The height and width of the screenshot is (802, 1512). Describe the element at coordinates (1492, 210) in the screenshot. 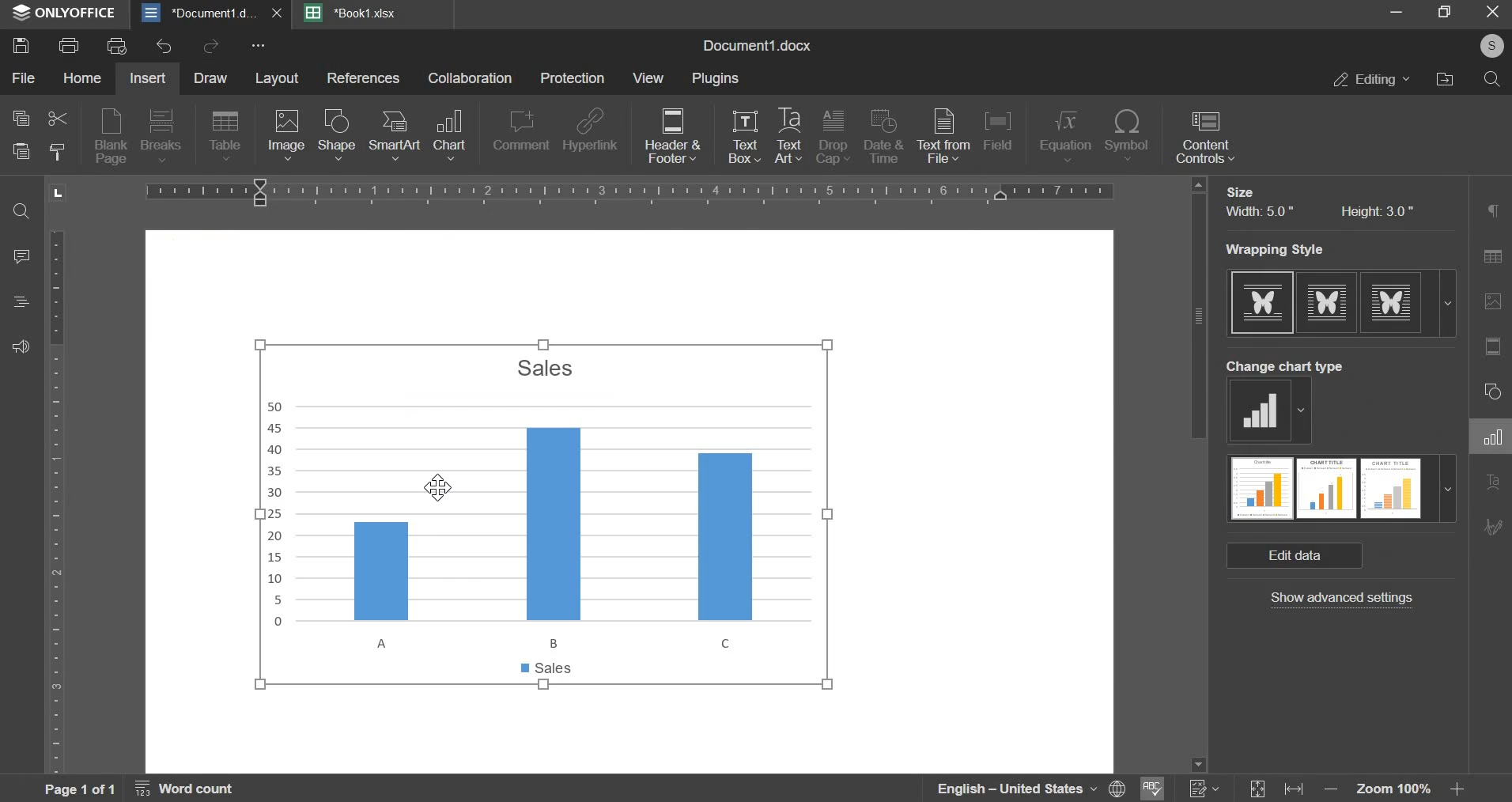

I see `Table Tool` at that location.